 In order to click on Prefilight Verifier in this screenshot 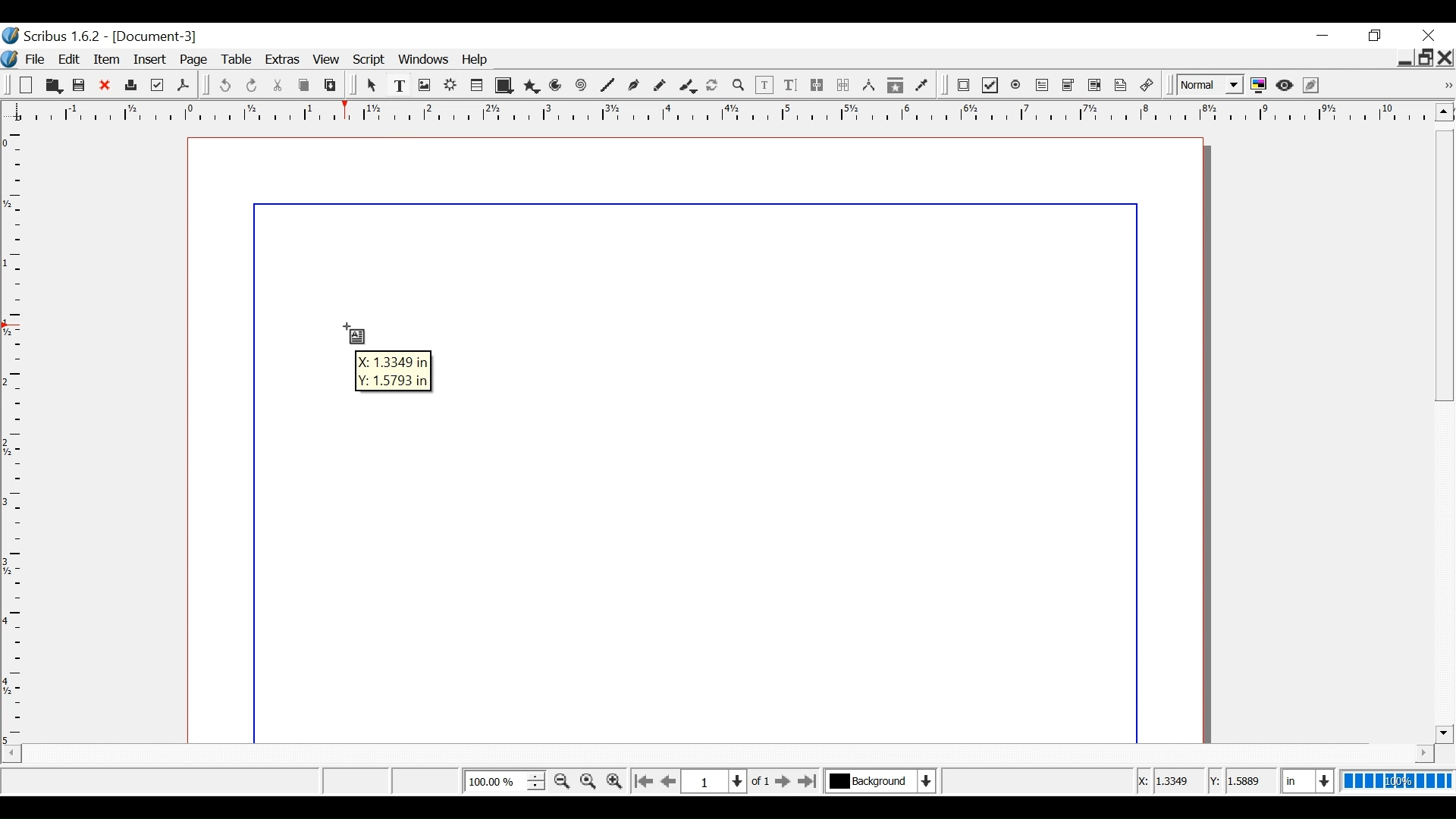, I will do `click(157, 84)`.